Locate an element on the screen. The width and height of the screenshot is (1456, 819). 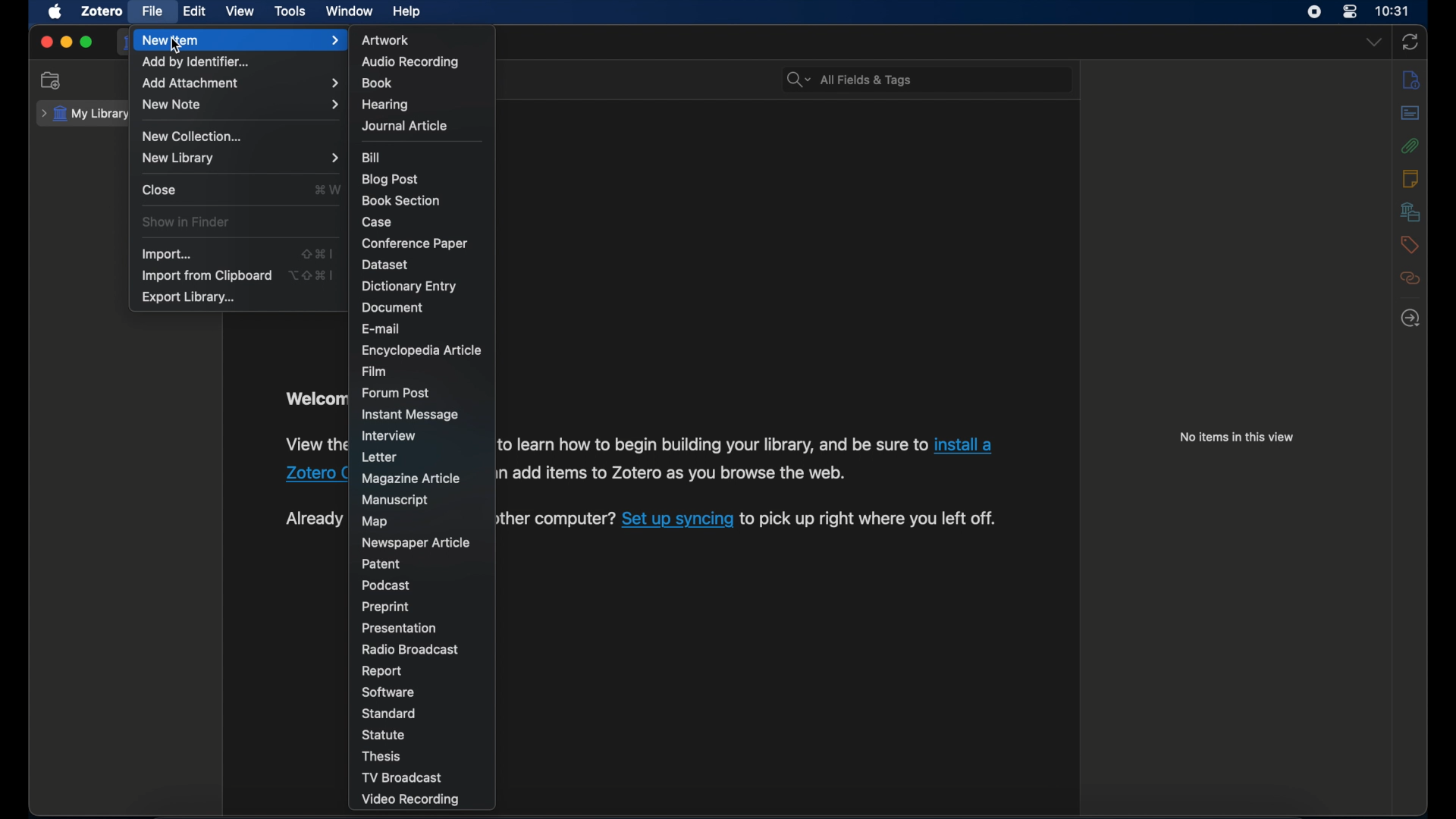
screen recorder is located at coordinates (1314, 11).